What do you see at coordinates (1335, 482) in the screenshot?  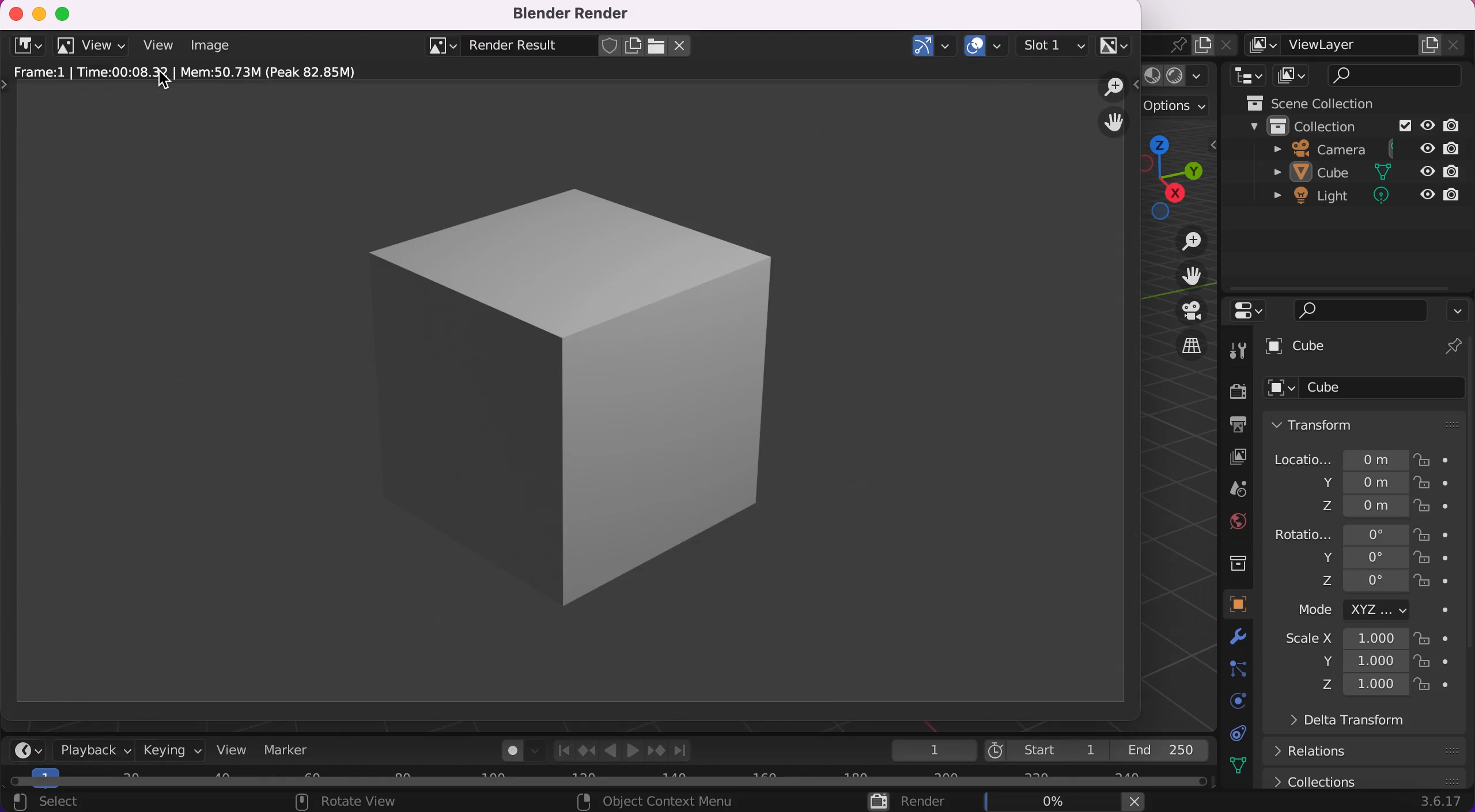 I see `y 0m` at bounding box center [1335, 482].